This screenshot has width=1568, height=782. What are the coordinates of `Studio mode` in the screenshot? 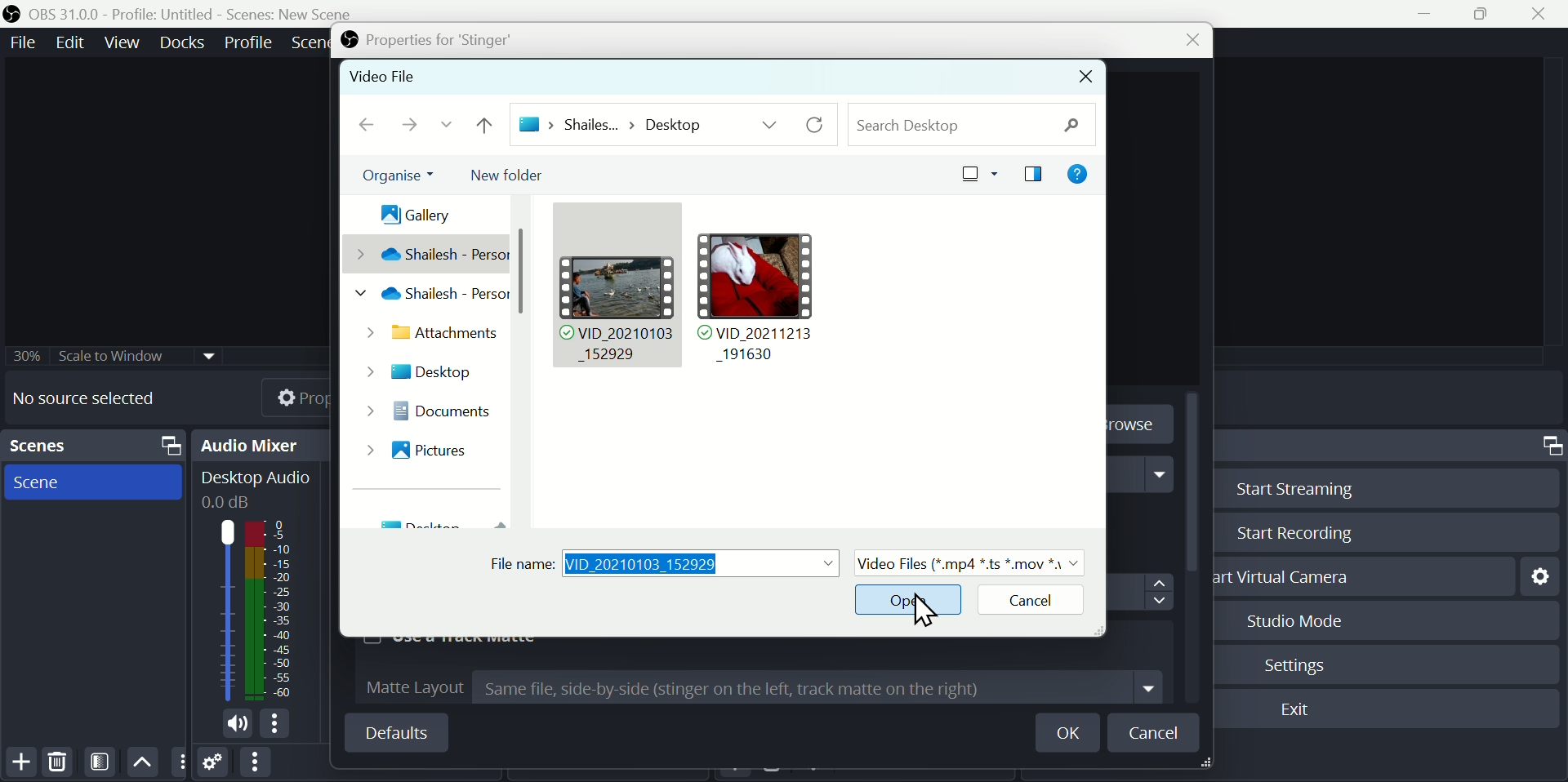 It's located at (1289, 620).